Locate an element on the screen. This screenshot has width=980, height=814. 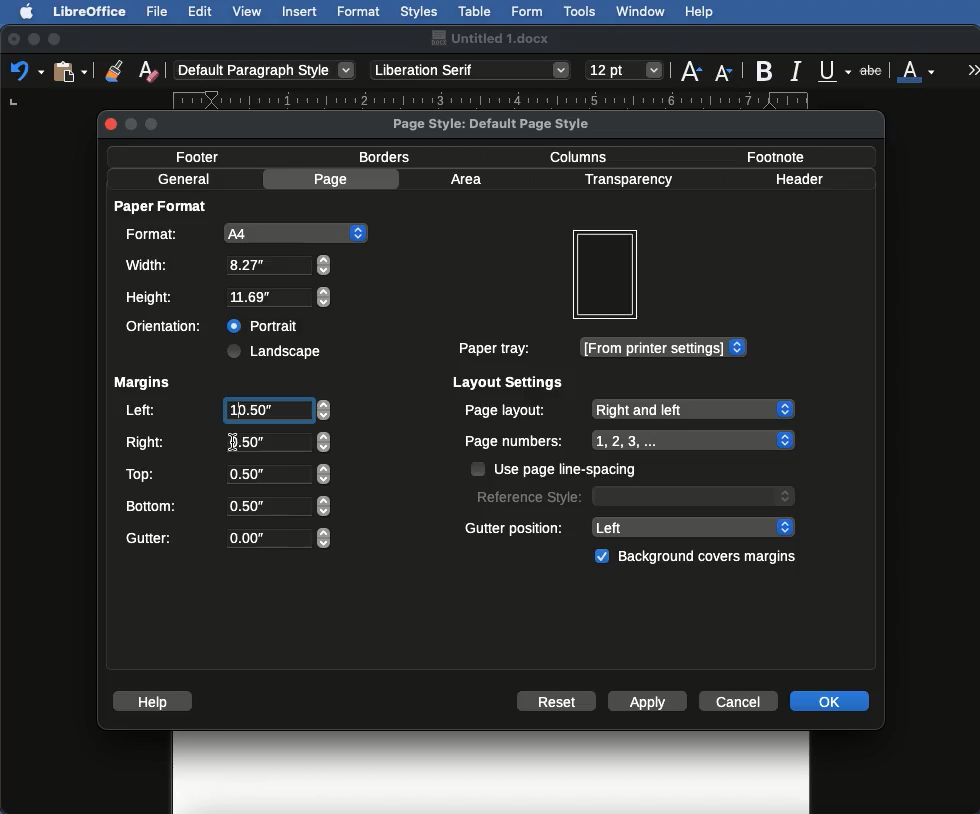
Window is located at coordinates (641, 12).